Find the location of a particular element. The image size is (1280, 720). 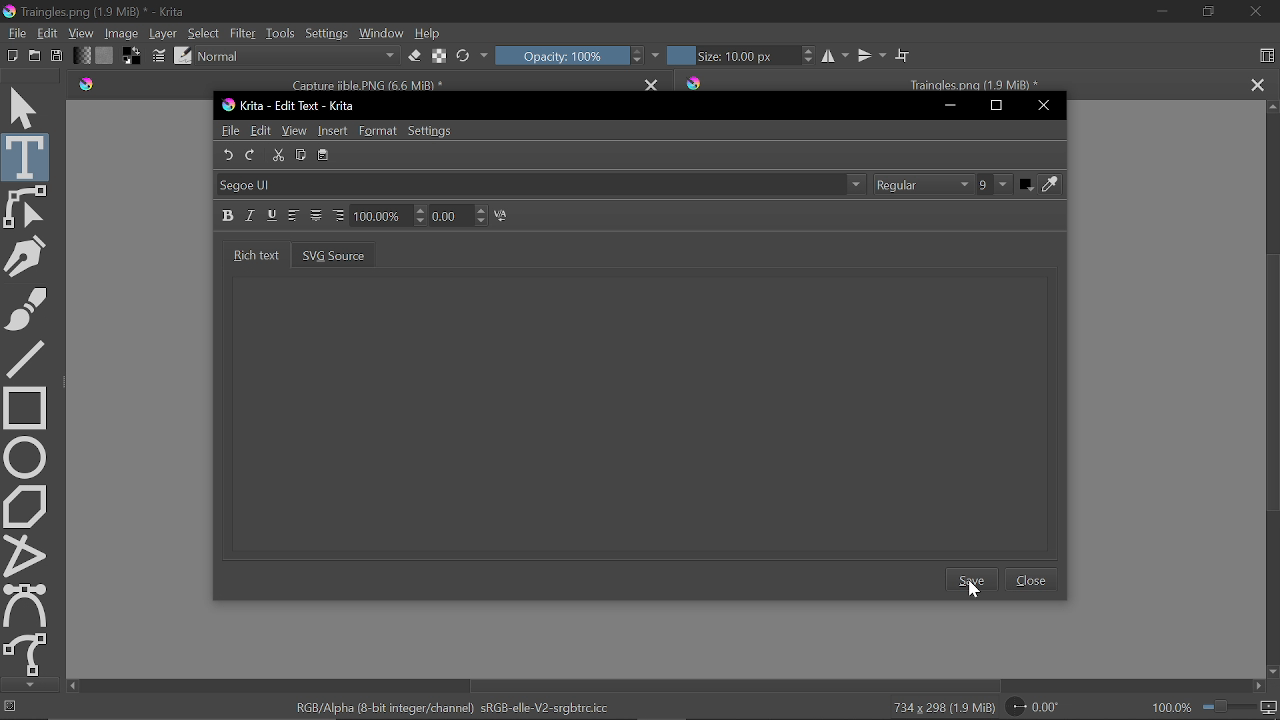

Rotate is located at coordinates (1038, 708).